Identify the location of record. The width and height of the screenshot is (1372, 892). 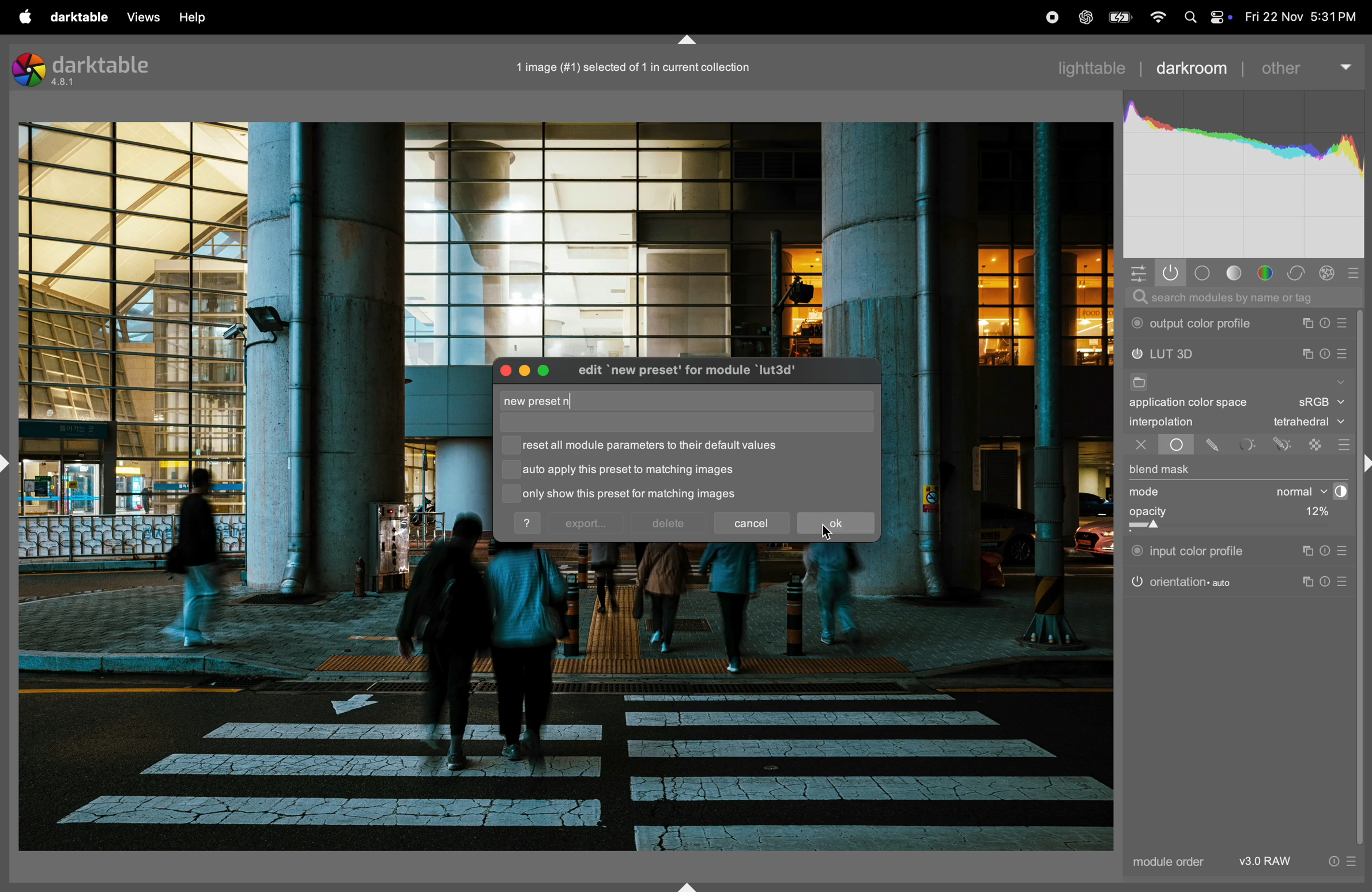
(1048, 18).